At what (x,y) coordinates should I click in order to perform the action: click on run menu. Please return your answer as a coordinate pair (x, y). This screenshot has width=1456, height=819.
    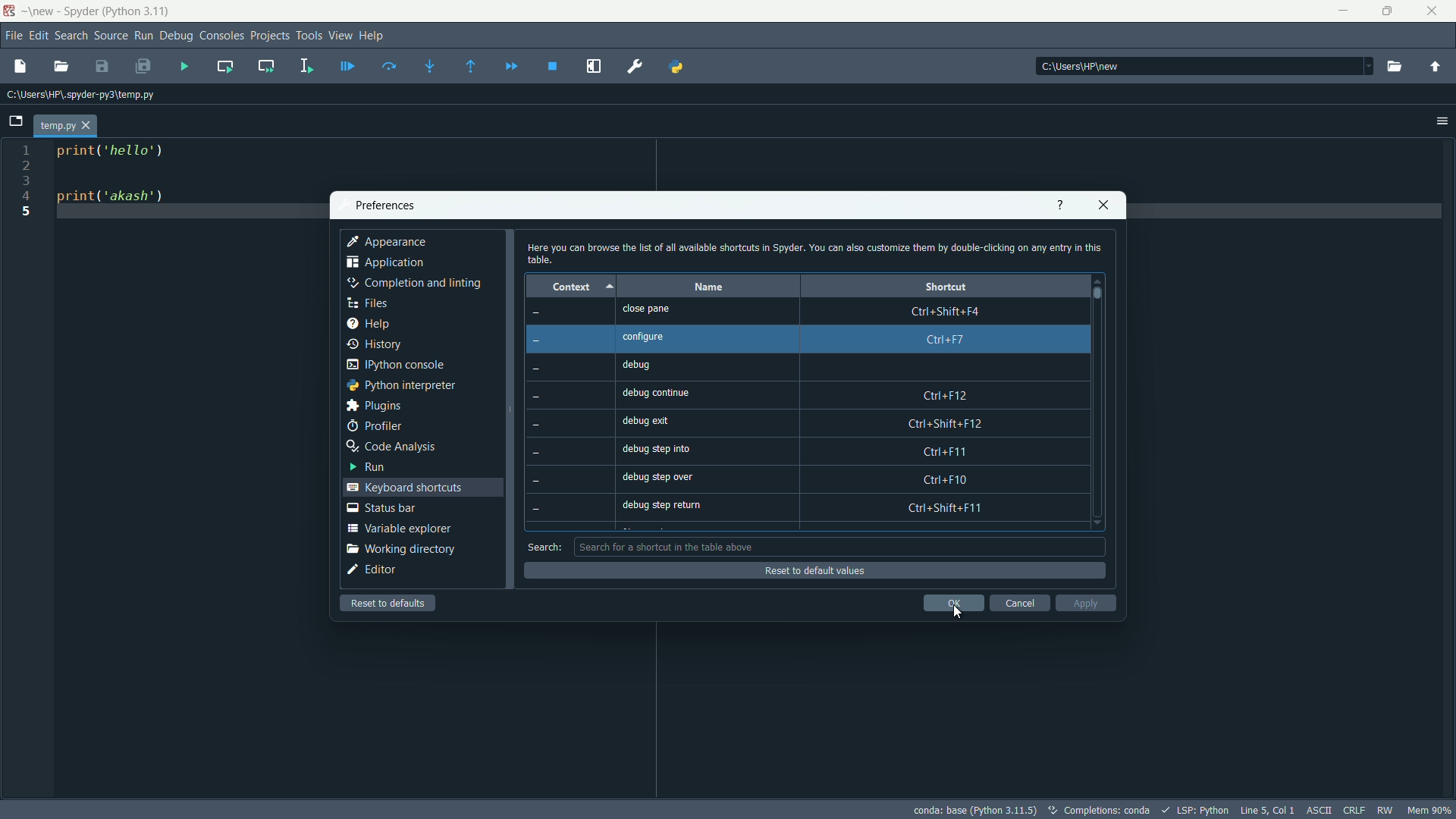
    Looking at the image, I should click on (143, 36).